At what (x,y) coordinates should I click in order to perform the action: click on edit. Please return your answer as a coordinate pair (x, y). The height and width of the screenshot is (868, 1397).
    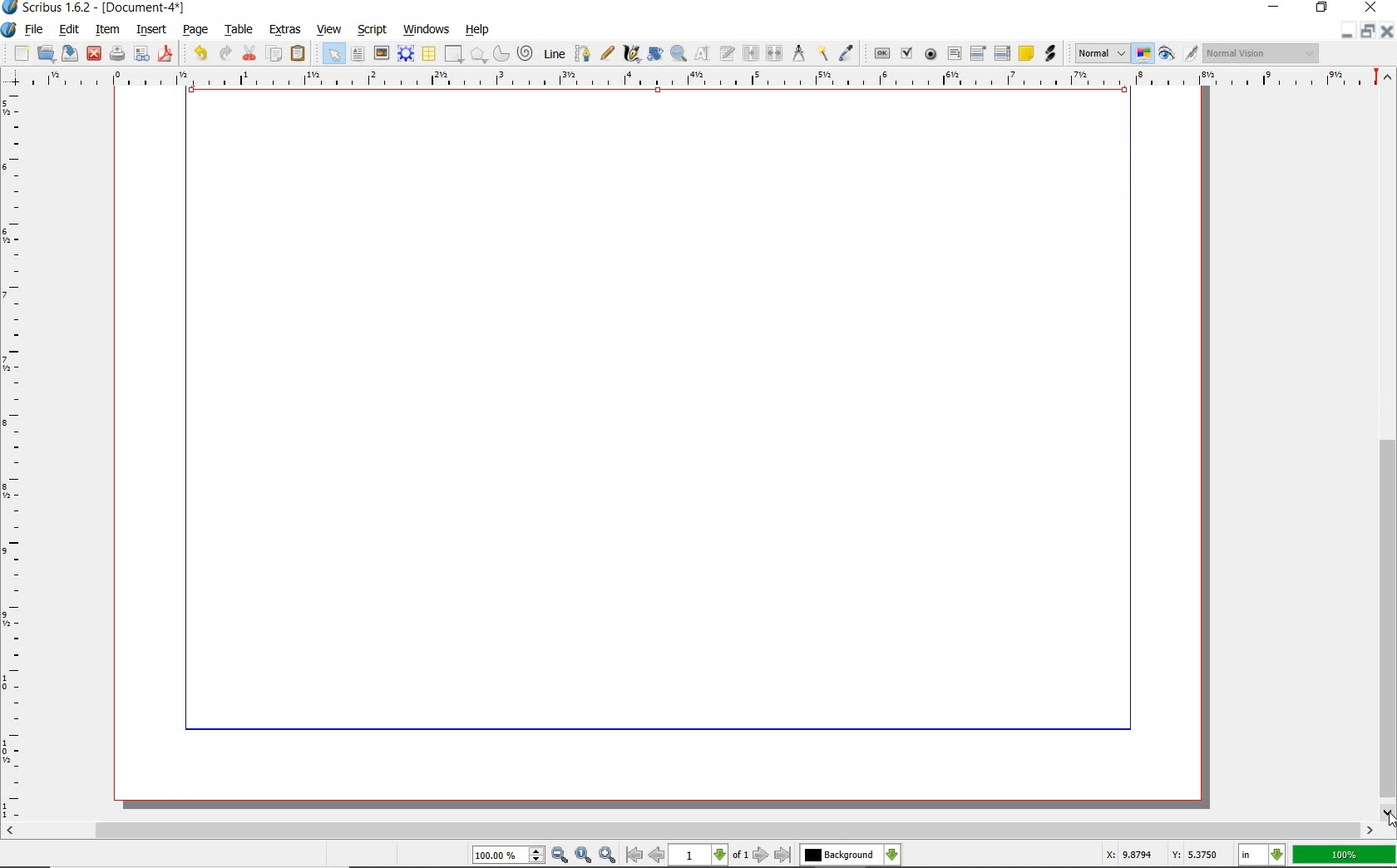
    Looking at the image, I should click on (70, 29).